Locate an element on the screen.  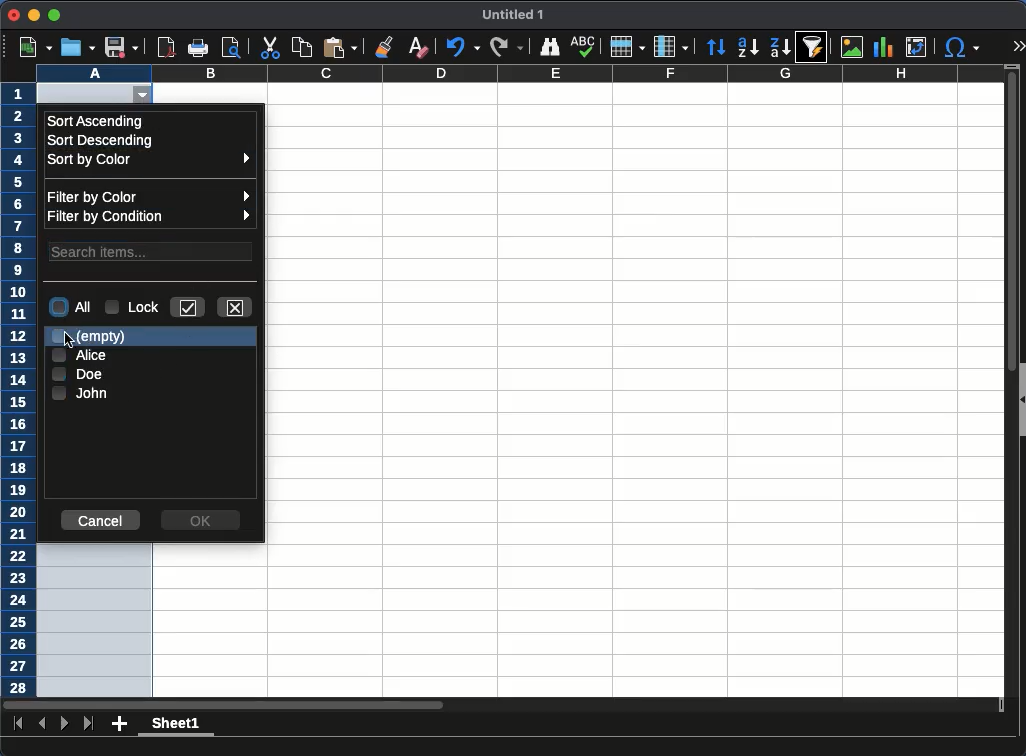
special character is located at coordinates (961, 49).